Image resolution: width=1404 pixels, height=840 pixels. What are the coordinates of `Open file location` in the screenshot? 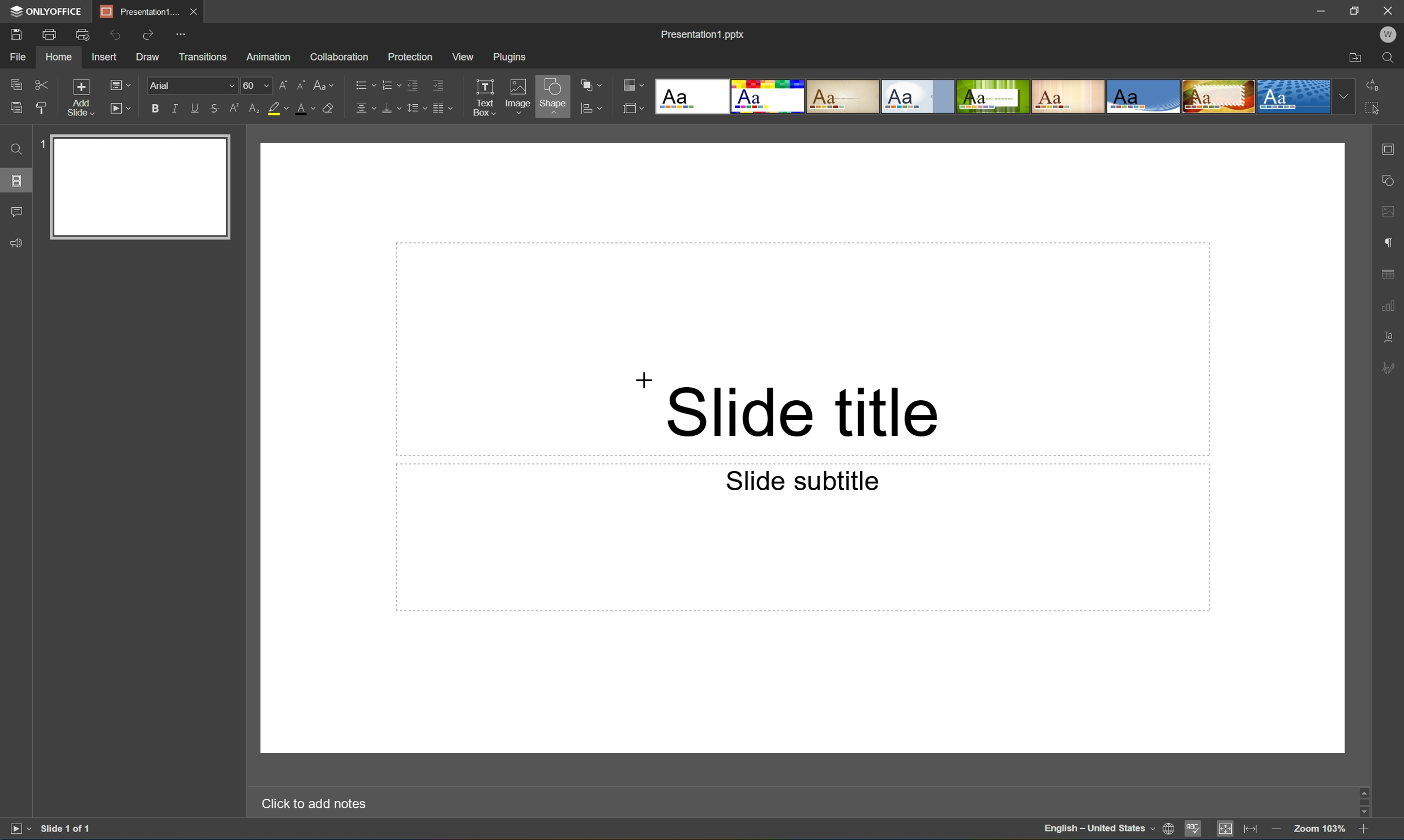 It's located at (1354, 58).